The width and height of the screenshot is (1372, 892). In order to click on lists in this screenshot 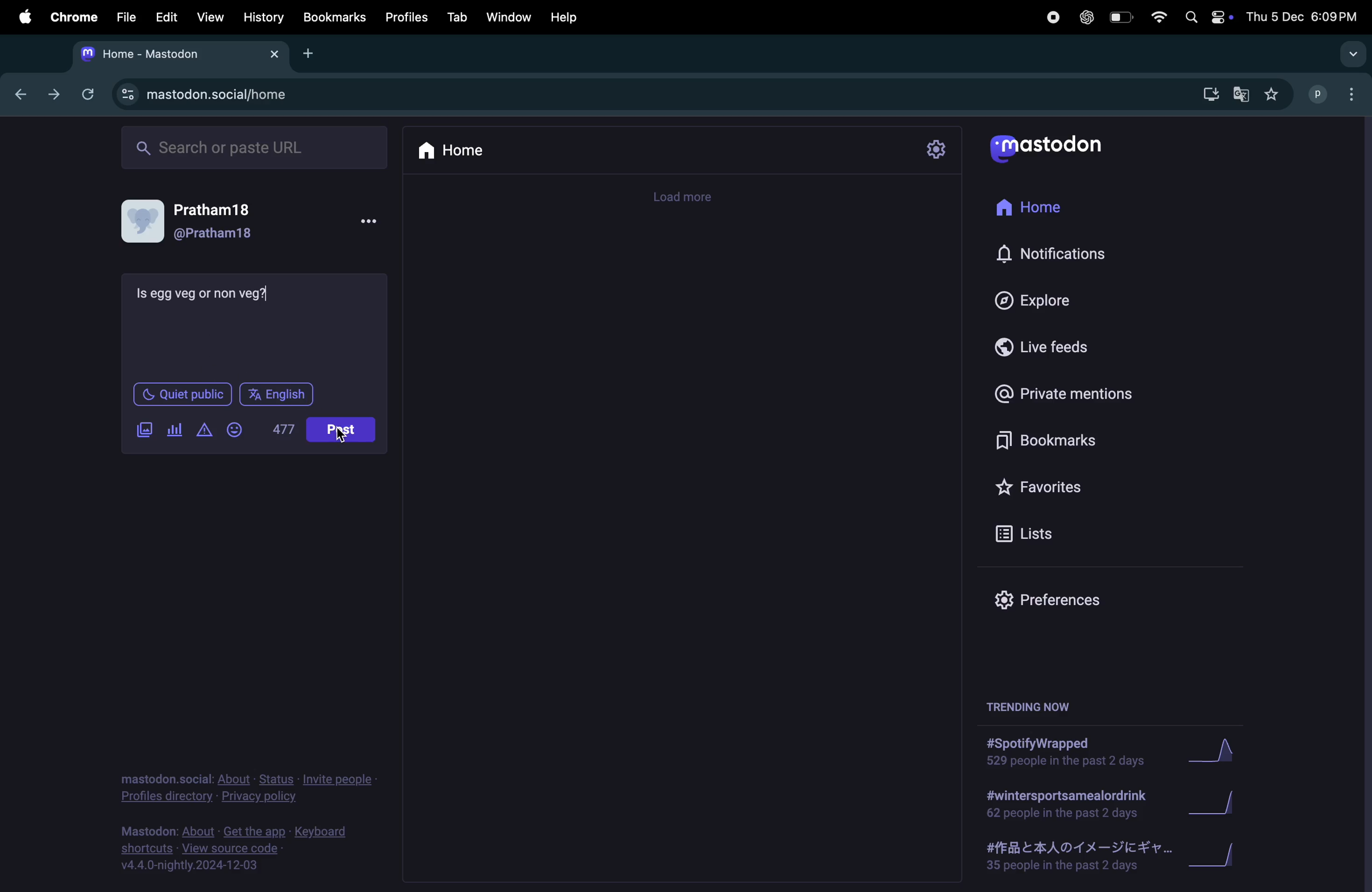, I will do `click(1044, 532)`.